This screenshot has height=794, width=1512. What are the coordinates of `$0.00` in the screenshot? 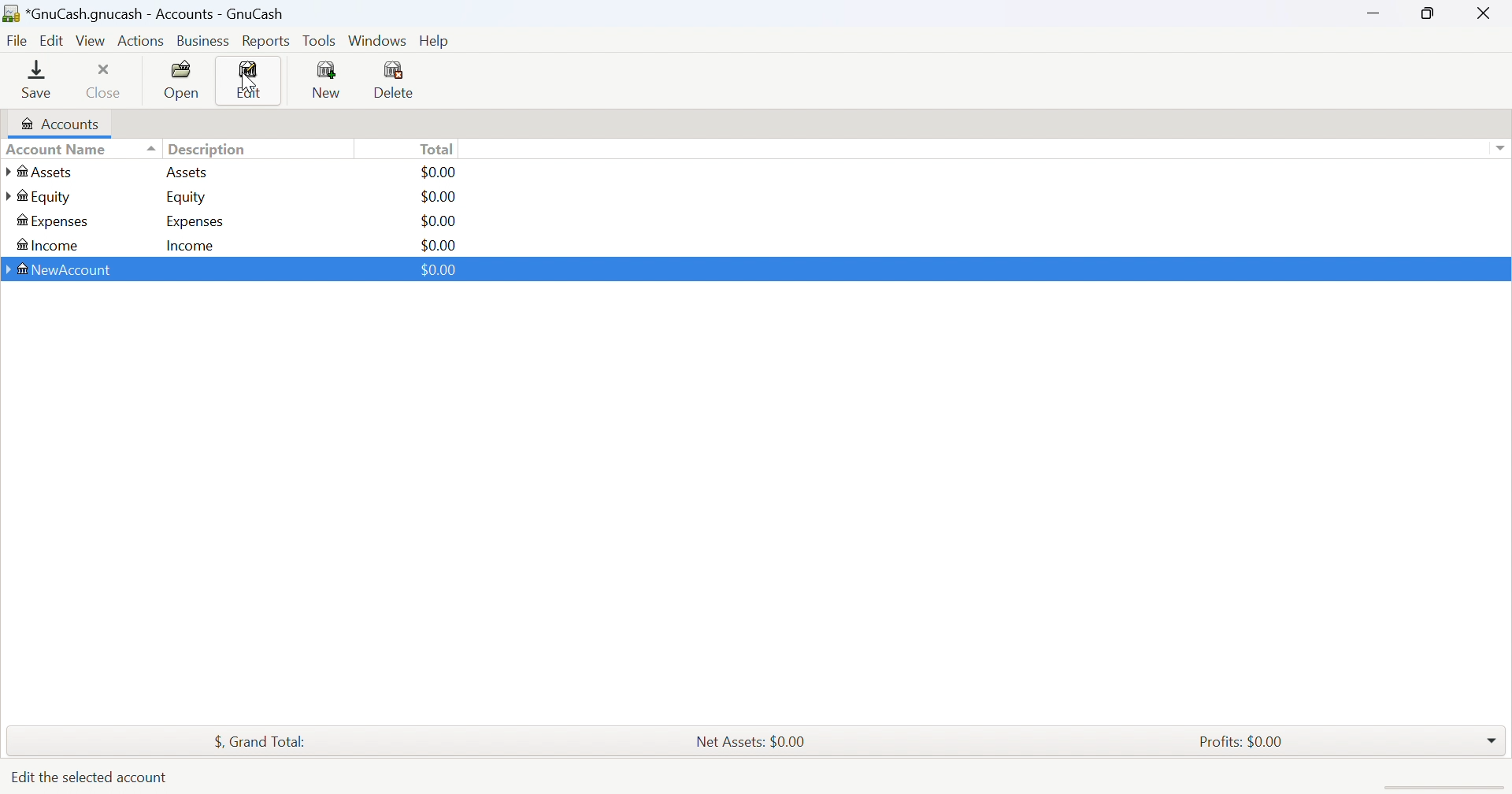 It's located at (440, 172).